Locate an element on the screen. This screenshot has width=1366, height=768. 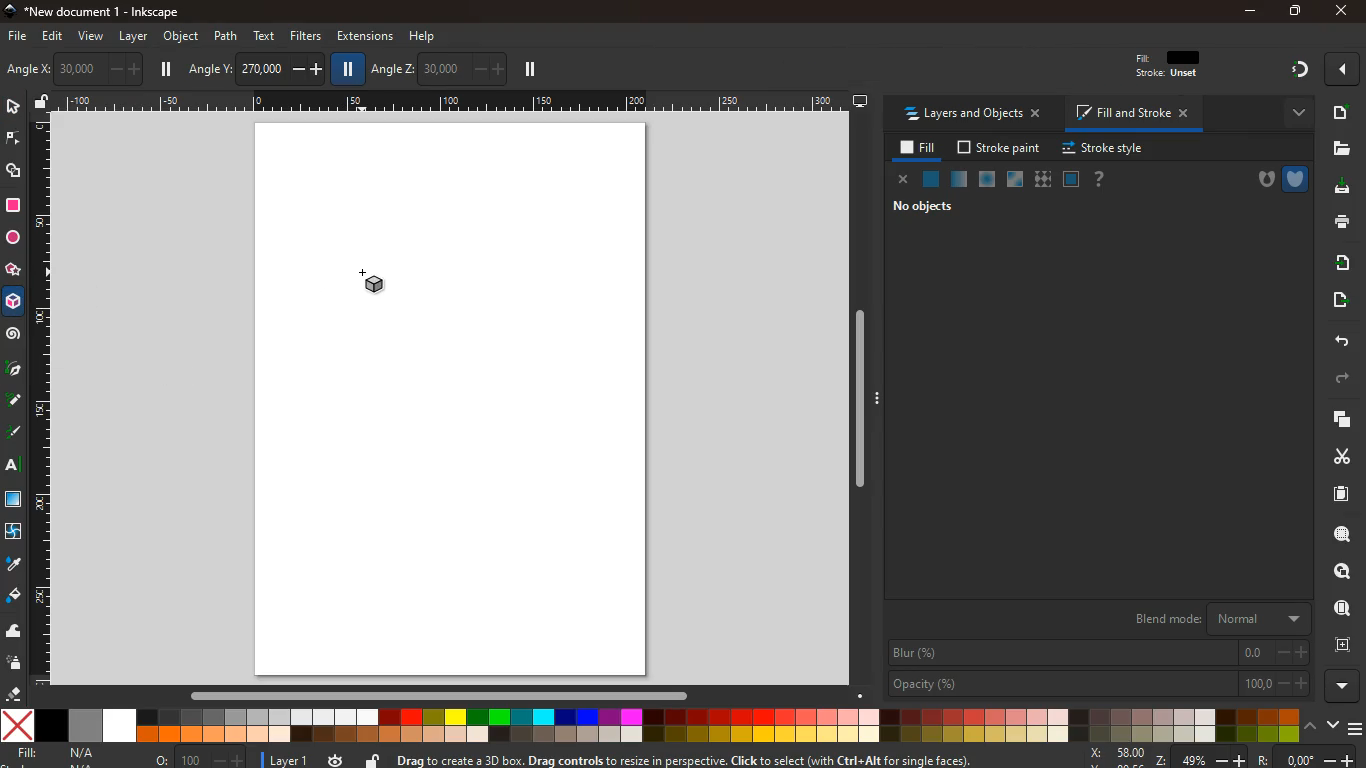
glass is located at coordinates (1013, 180).